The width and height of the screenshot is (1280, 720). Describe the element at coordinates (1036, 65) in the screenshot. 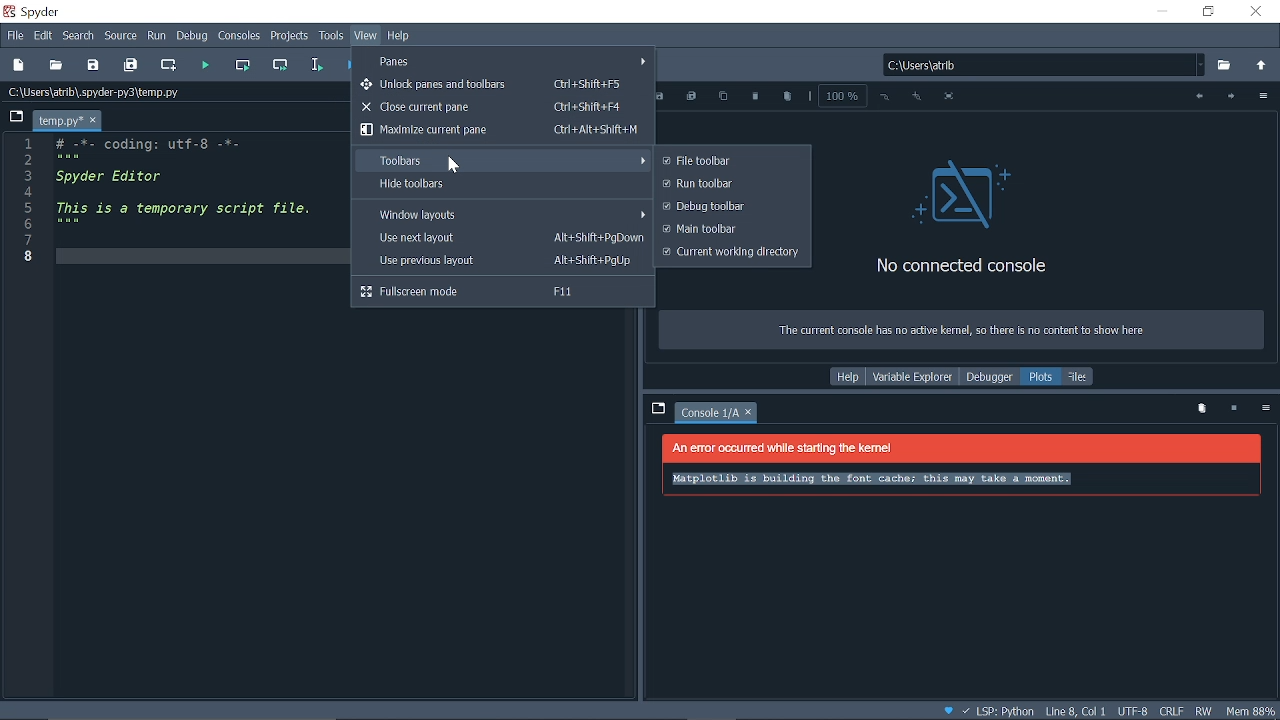

I see `` at that location.